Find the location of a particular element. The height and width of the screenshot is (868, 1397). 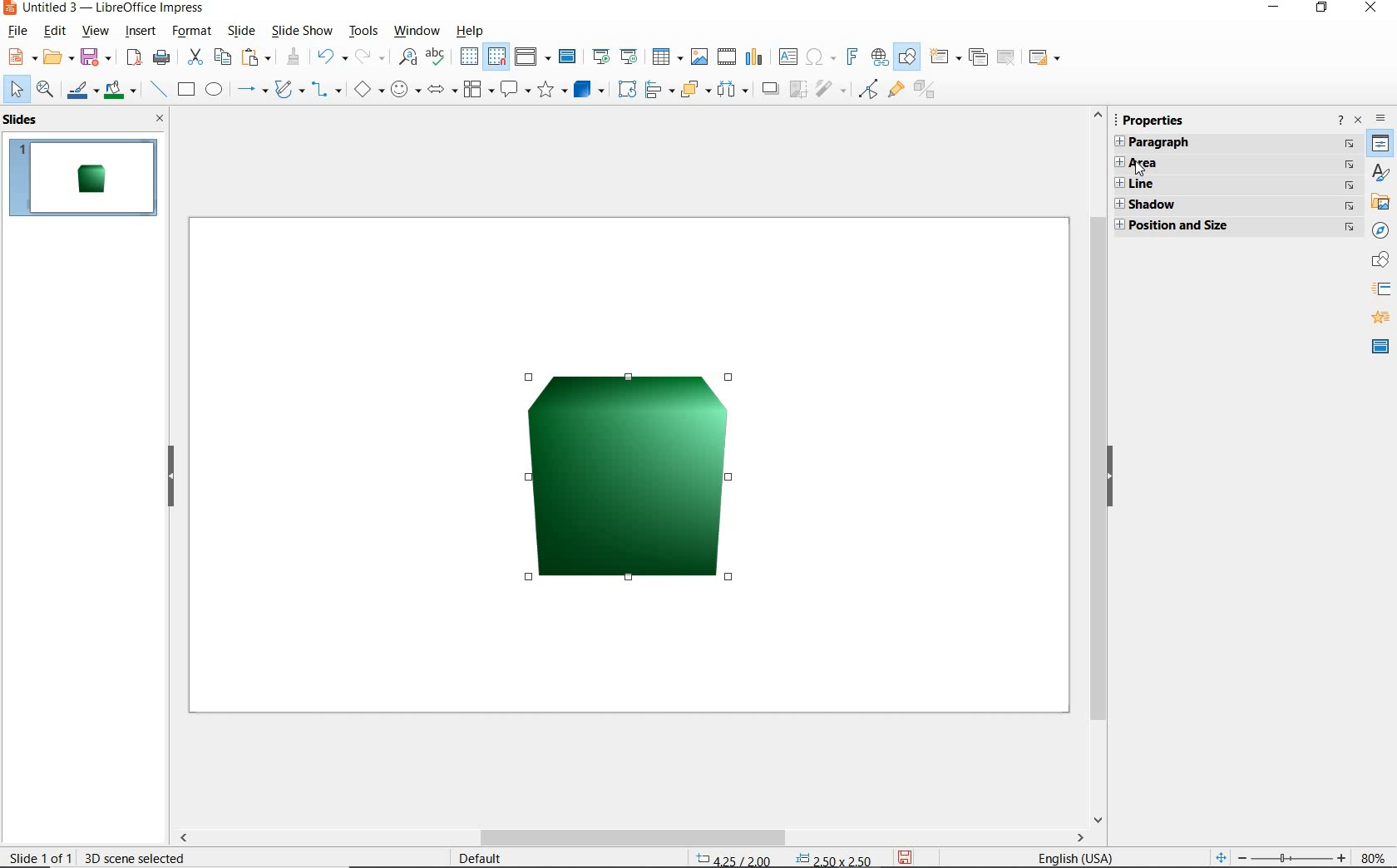

symbol shapes is located at coordinates (407, 89).